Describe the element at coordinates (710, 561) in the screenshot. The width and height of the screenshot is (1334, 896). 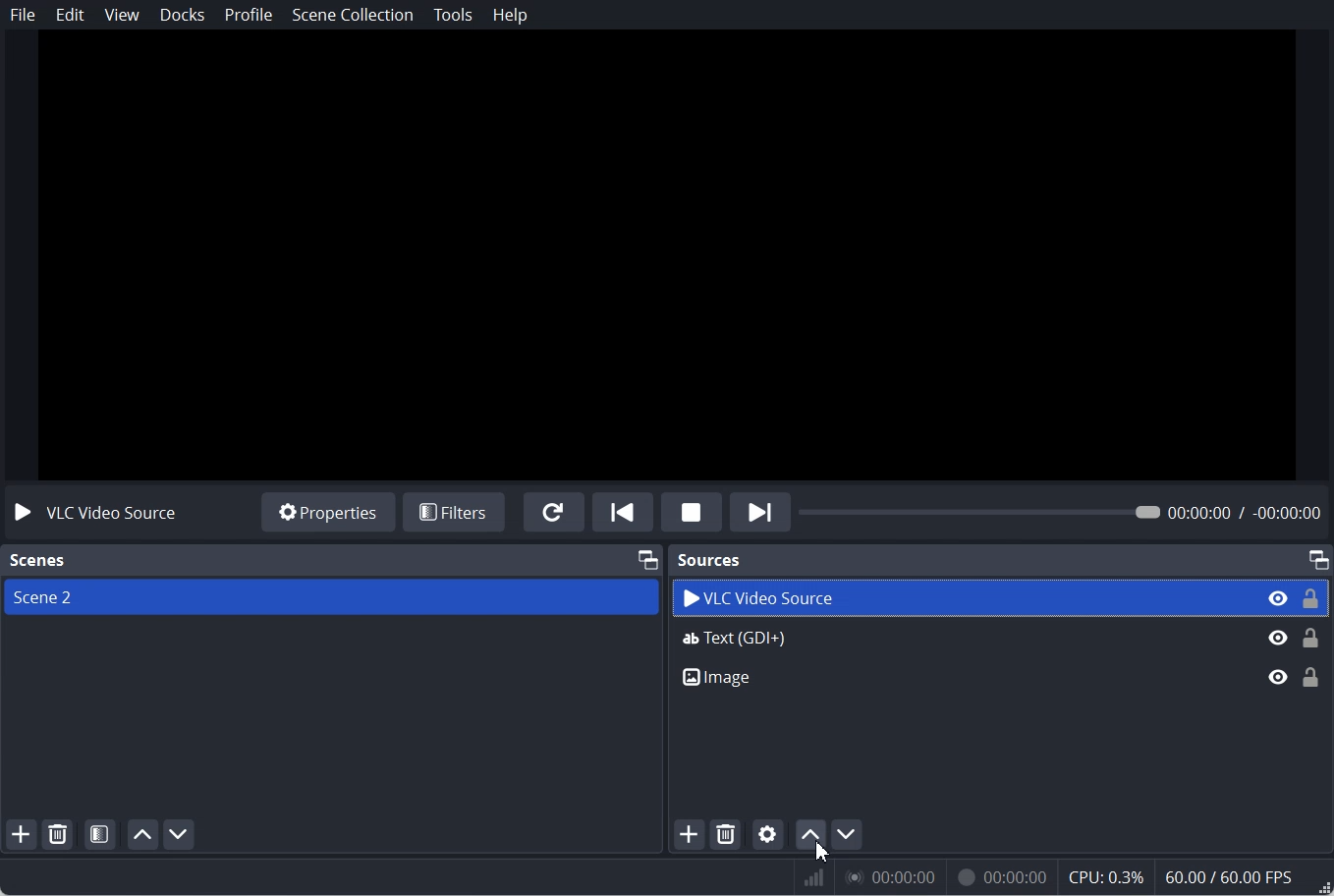
I see `Text` at that location.